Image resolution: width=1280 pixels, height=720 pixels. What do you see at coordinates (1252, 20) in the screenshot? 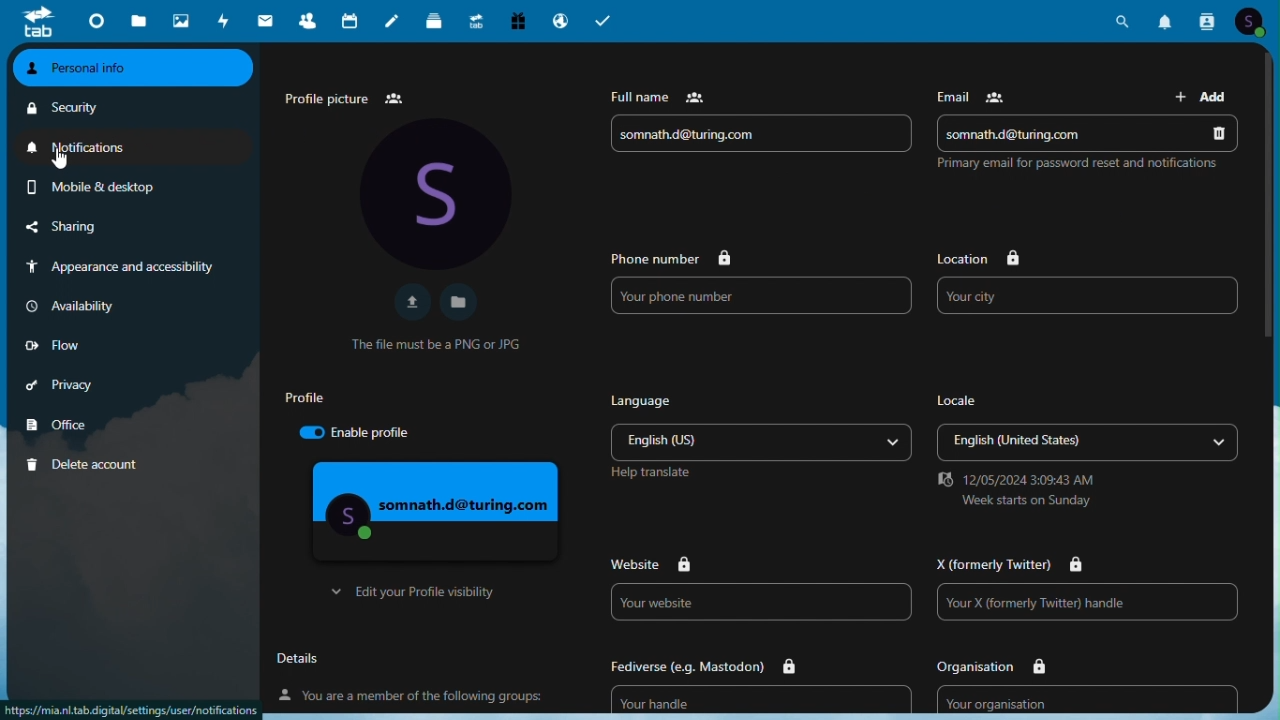
I see `Account icon` at bounding box center [1252, 20].